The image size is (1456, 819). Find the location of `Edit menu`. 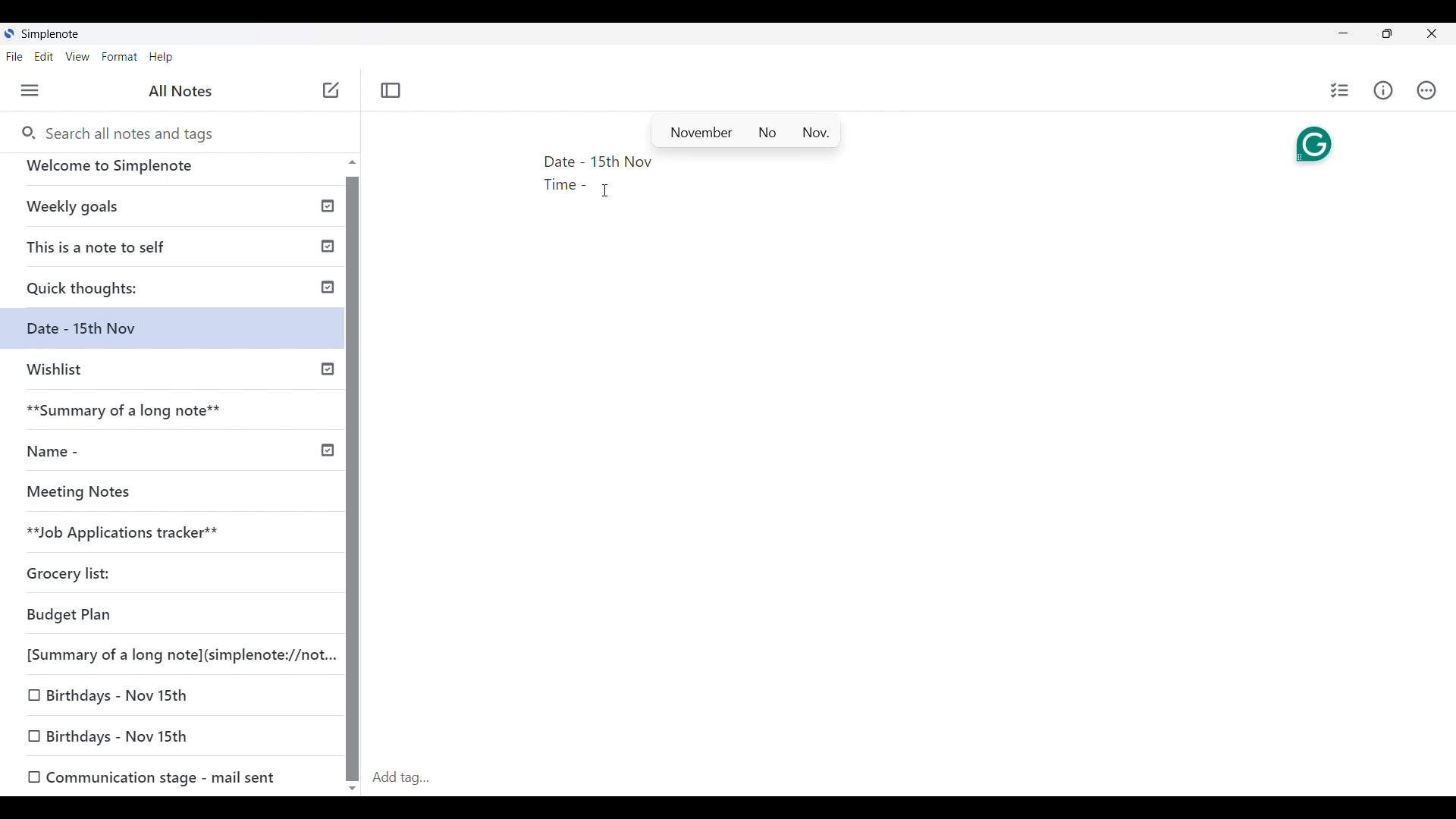

Edit menu is located at coordinates (44, 56).